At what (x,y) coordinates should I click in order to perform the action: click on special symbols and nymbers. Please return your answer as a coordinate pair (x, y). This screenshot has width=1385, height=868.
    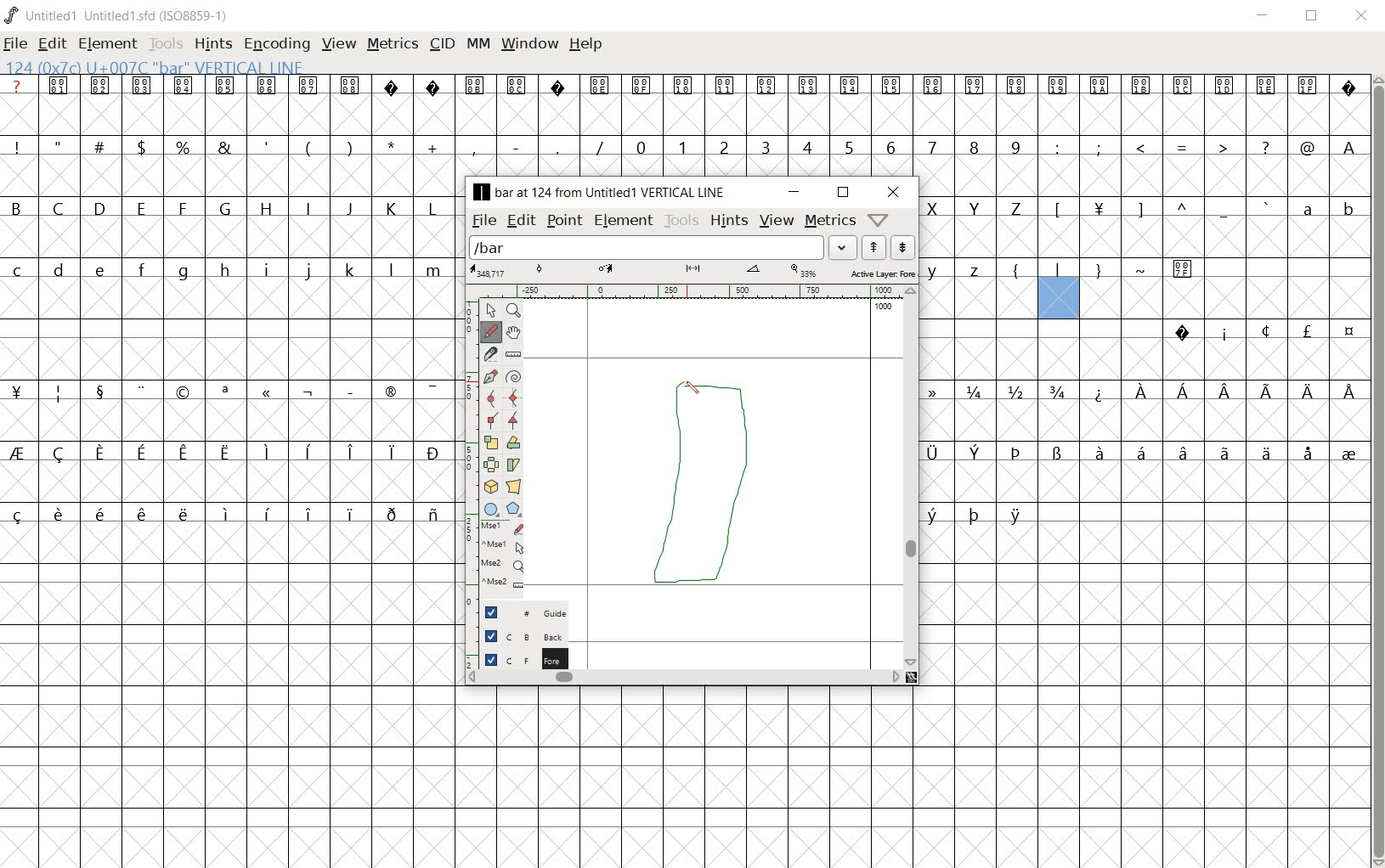
    Looking at the image, I should click on (229, 391).